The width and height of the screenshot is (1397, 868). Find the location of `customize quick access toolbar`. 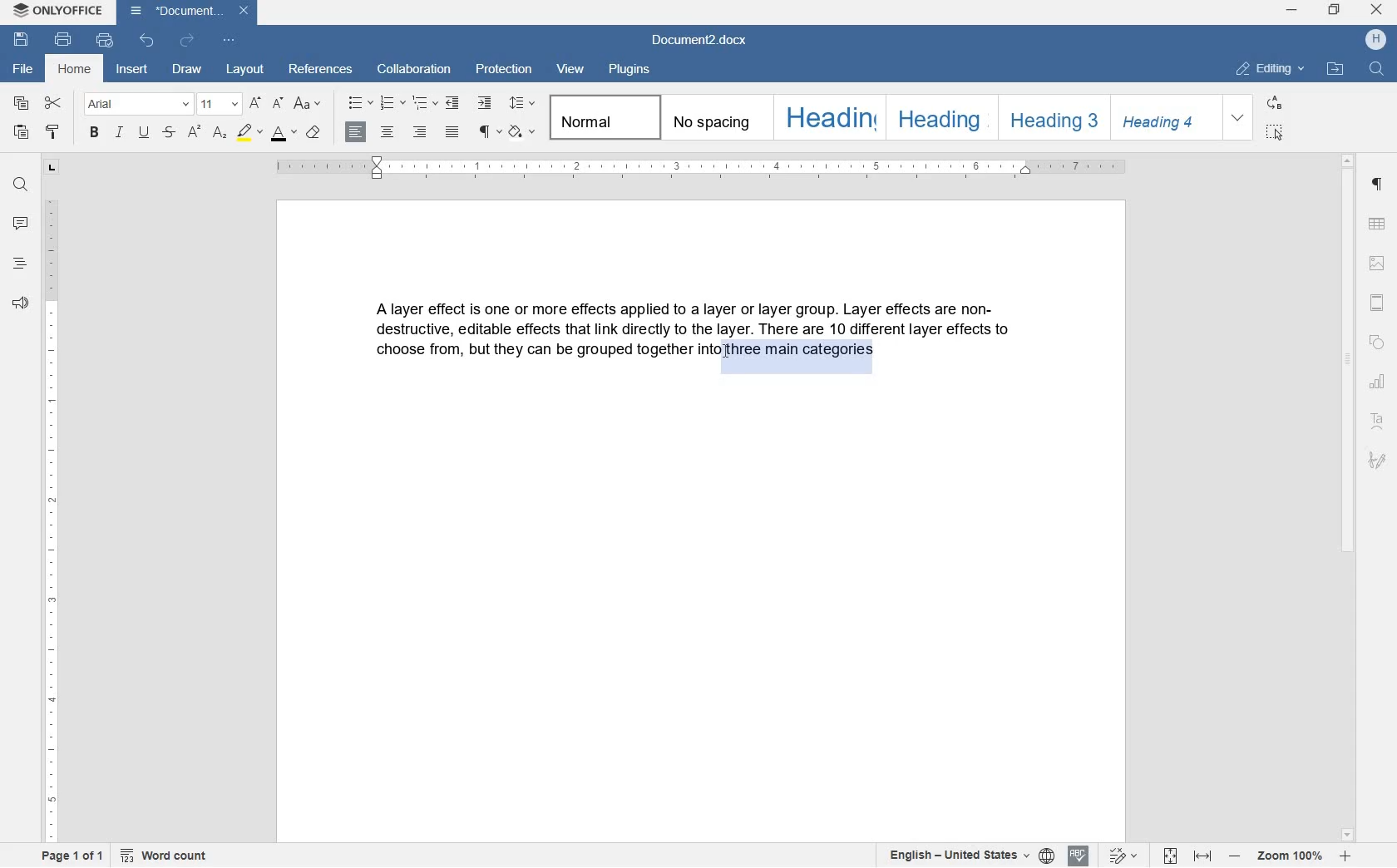

customize quick access toolbar is located at coordinates (230, 43).